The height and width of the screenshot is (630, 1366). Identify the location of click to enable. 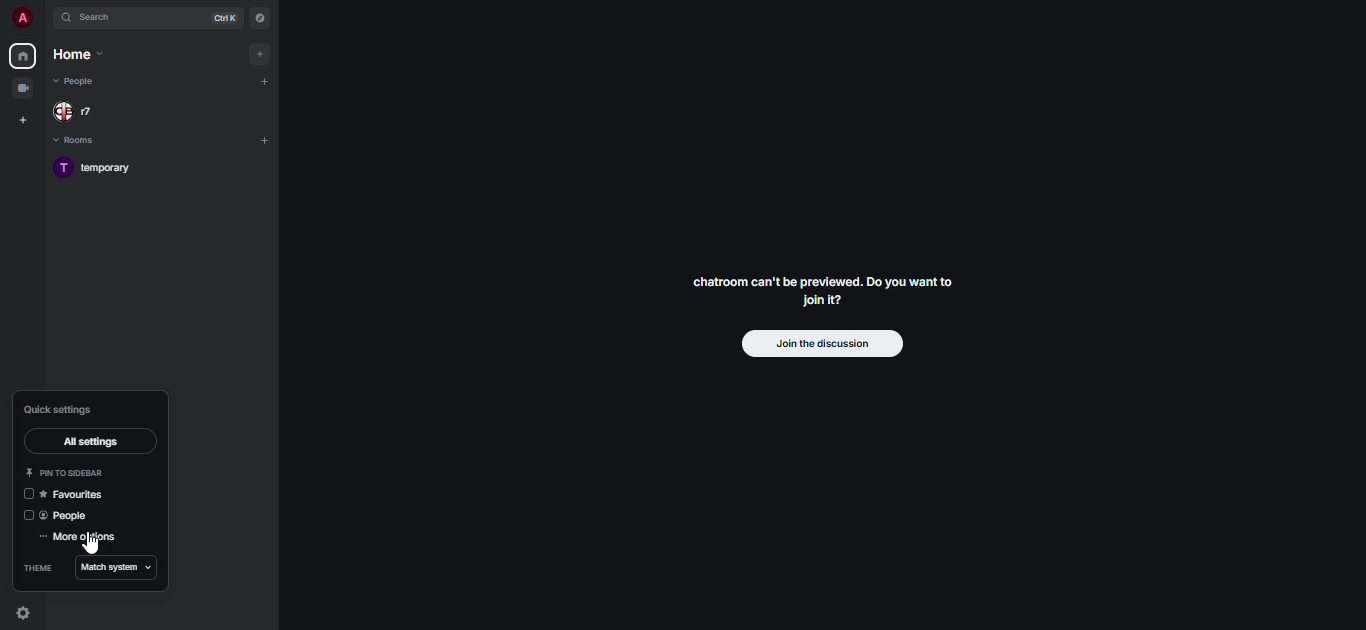
(27, 516).